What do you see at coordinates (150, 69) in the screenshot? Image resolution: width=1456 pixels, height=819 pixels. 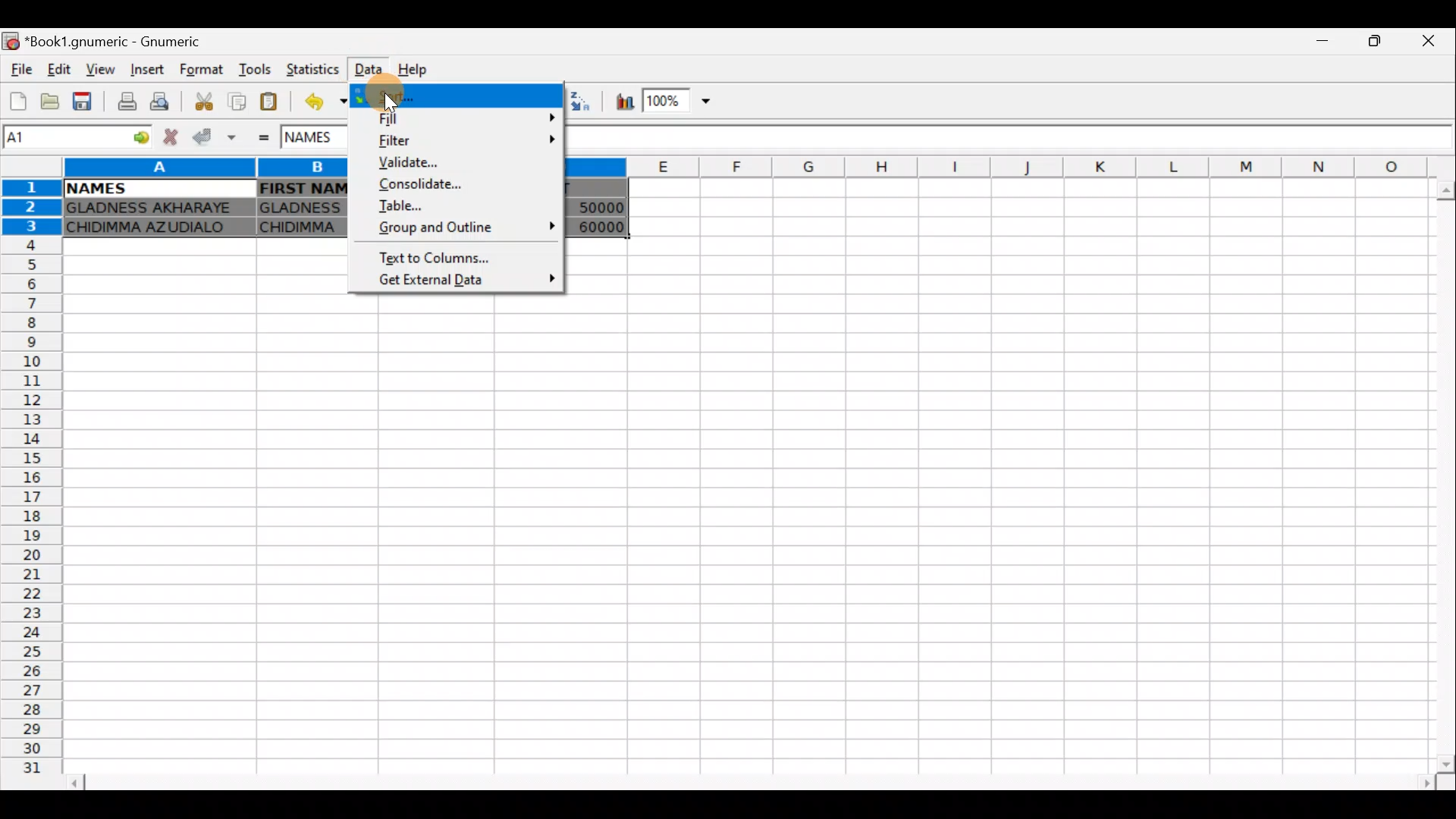 I see `Insert` at bounding box center [150, 69].